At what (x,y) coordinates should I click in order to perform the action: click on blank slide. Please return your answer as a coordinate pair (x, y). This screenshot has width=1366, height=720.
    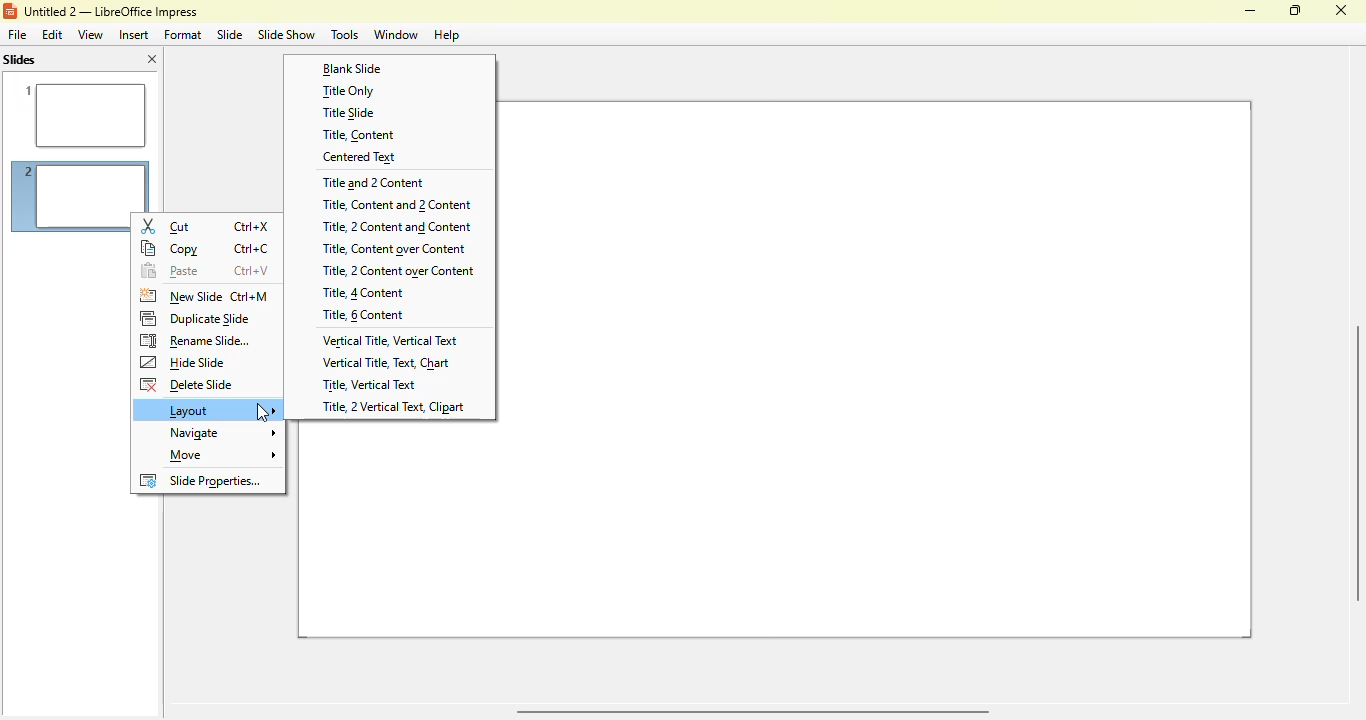
    Looking at the image, I should click on (352, 69).